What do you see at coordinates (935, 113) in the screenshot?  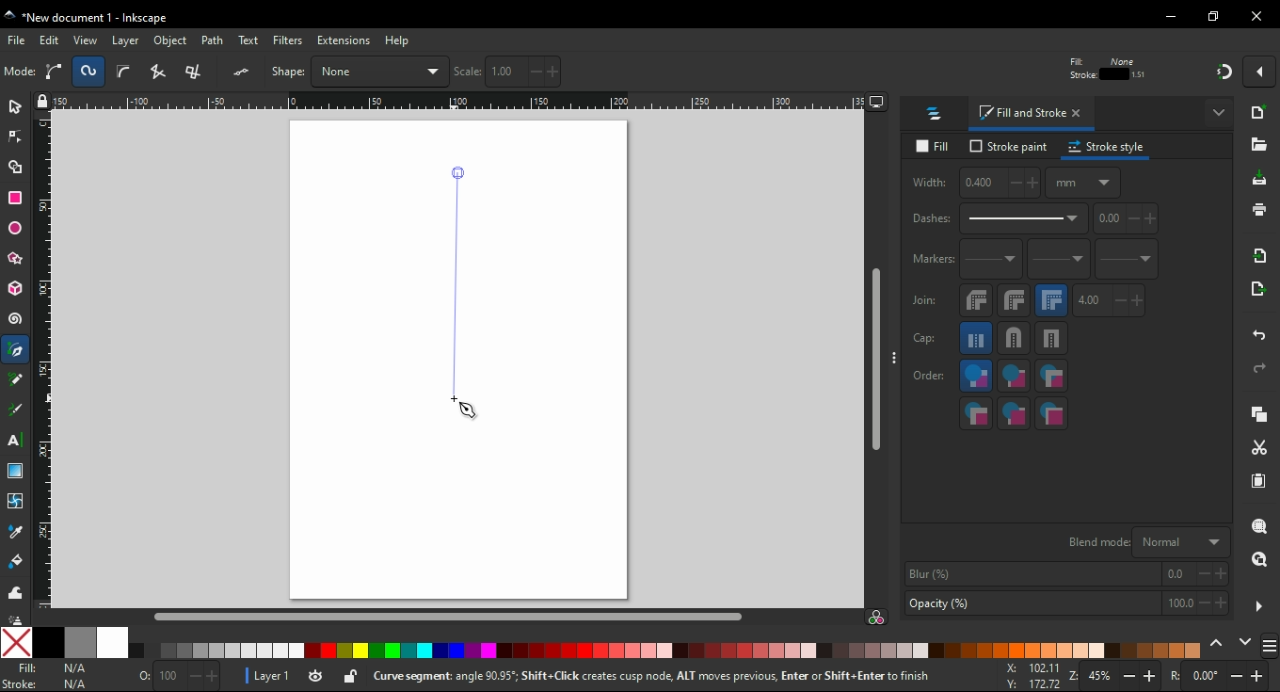 I see `layers and objects` at bounding box center [935, 113].